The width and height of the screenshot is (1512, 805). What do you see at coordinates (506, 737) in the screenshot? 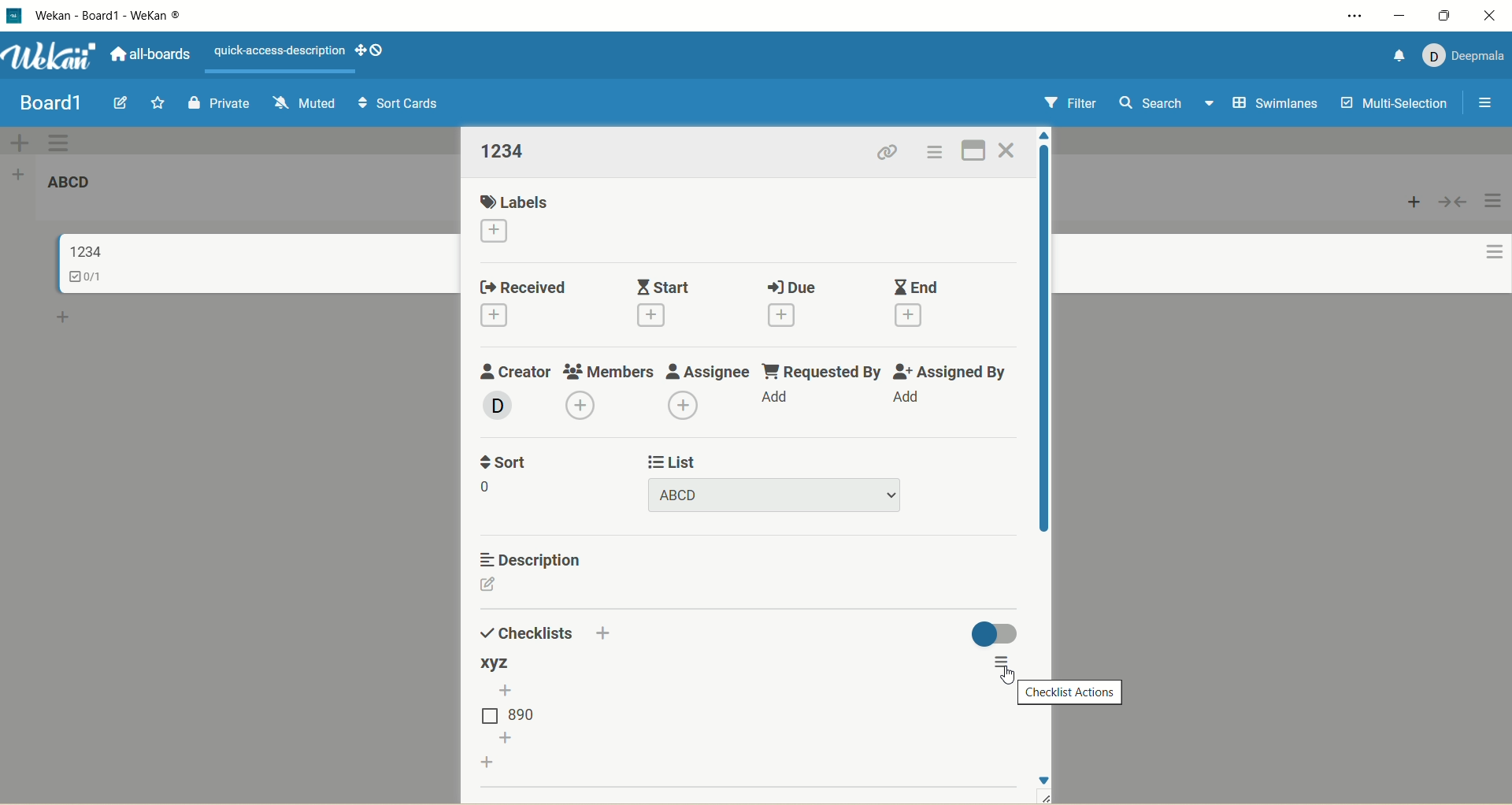
I see `add items` at bounding box center [506, 737].